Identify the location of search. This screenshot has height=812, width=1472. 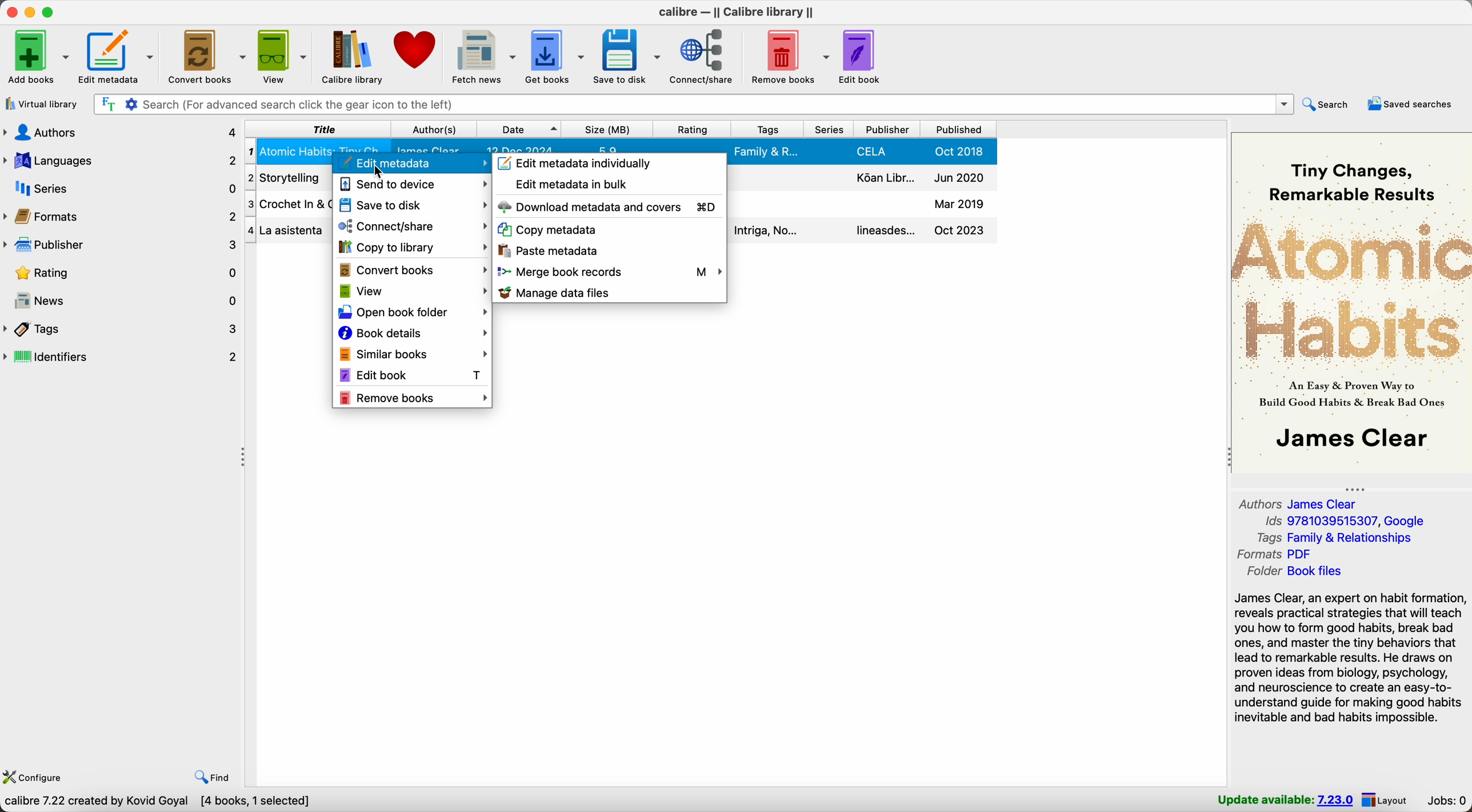
(1327, 105).